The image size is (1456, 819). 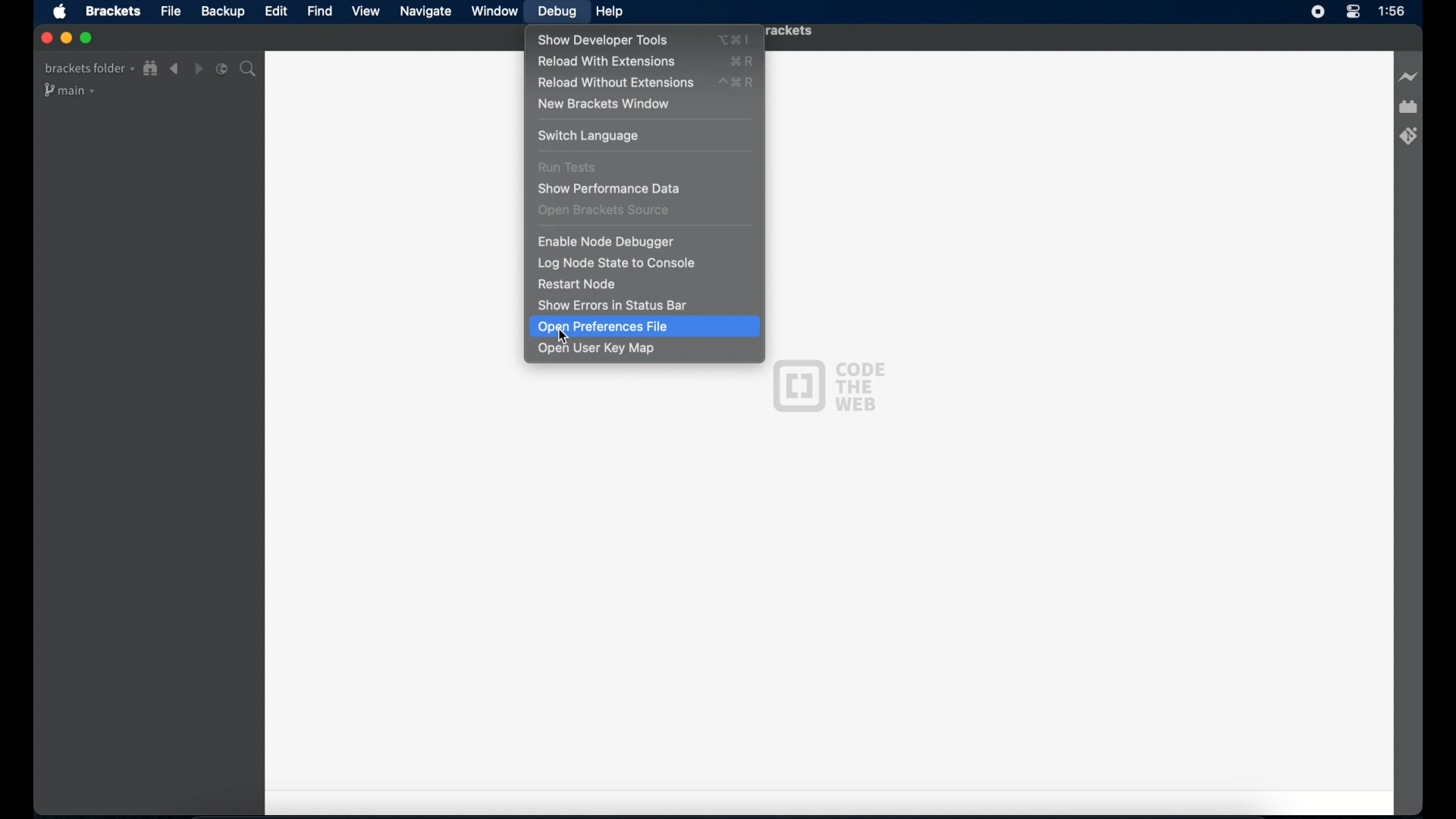 What do you see at coordinates (1407, 77) in the screenshot?
I see `live preview` at bounding box center [1407, 77].